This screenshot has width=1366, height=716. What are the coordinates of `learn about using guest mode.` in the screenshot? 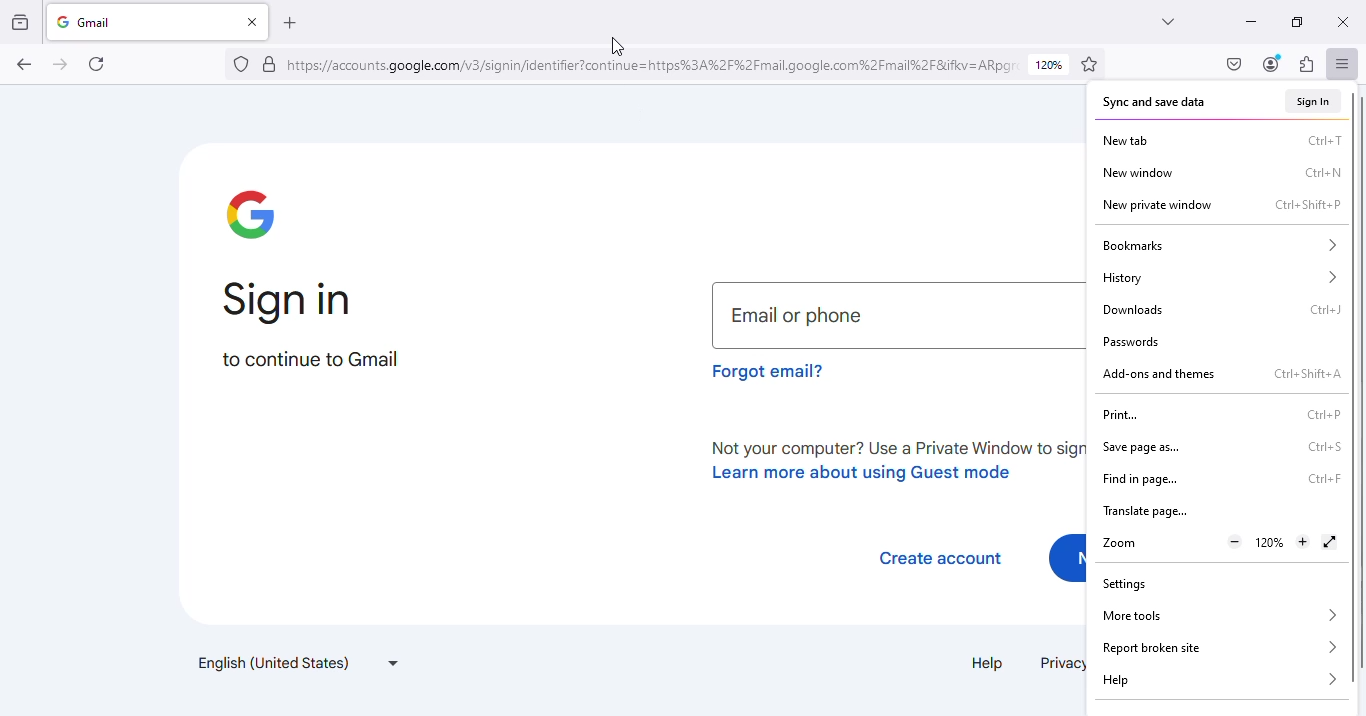 It's located at (891, 461).